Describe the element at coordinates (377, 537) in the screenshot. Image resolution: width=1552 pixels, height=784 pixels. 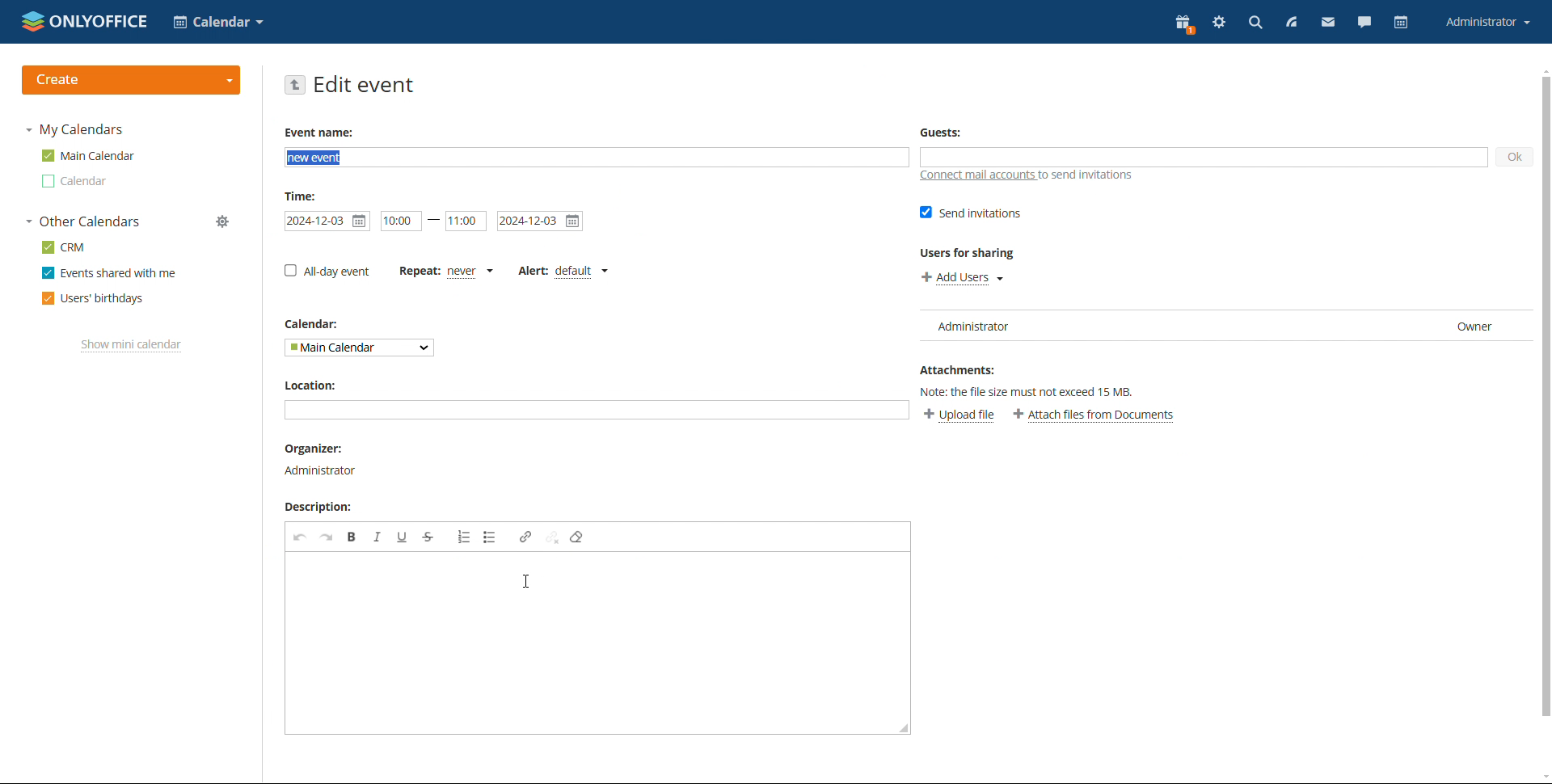
I see `italic` at that location.